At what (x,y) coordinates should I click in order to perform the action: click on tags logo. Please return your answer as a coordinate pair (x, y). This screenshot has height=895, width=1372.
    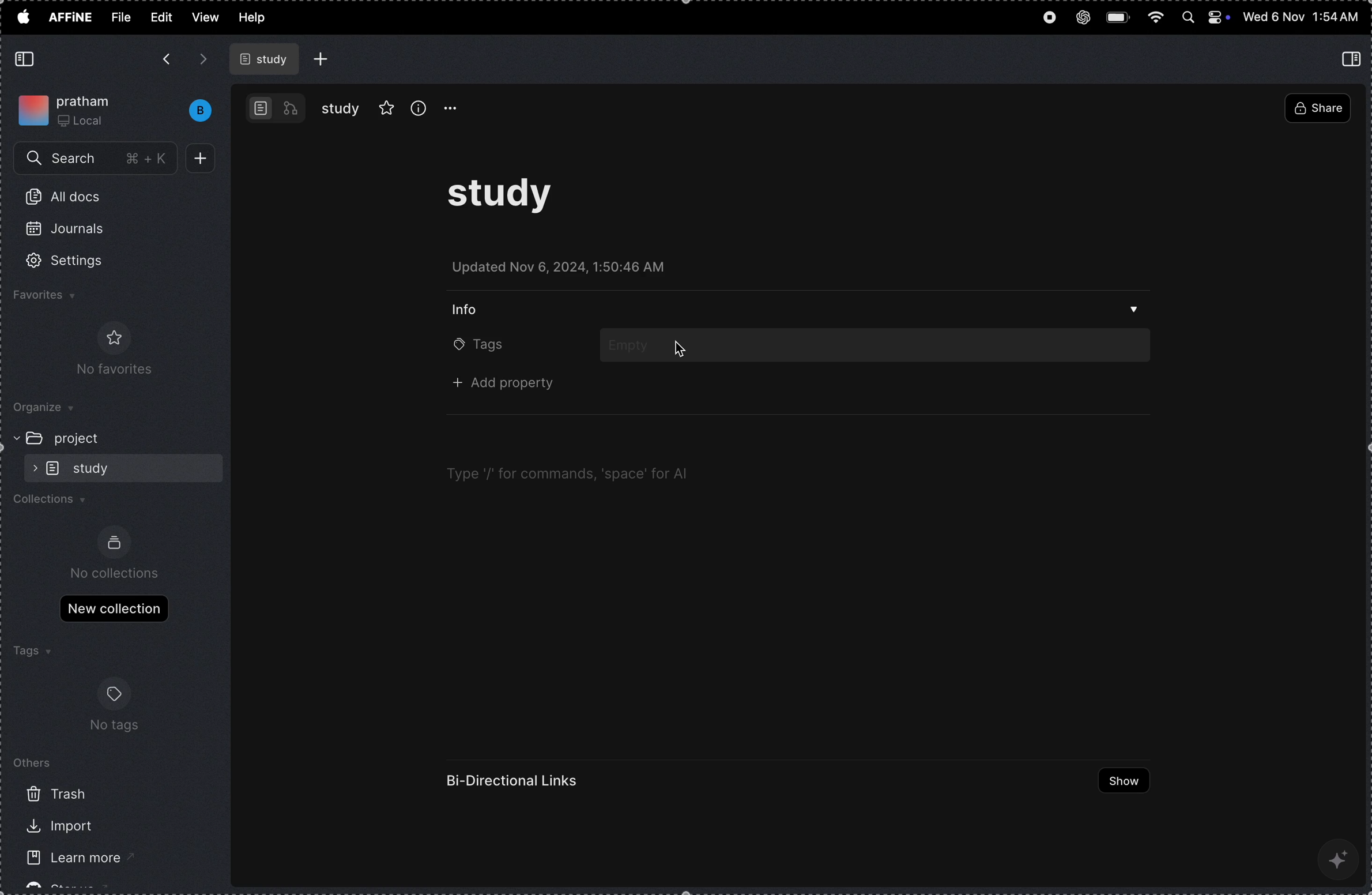
    Looking at the image, I should click on (114, 693).